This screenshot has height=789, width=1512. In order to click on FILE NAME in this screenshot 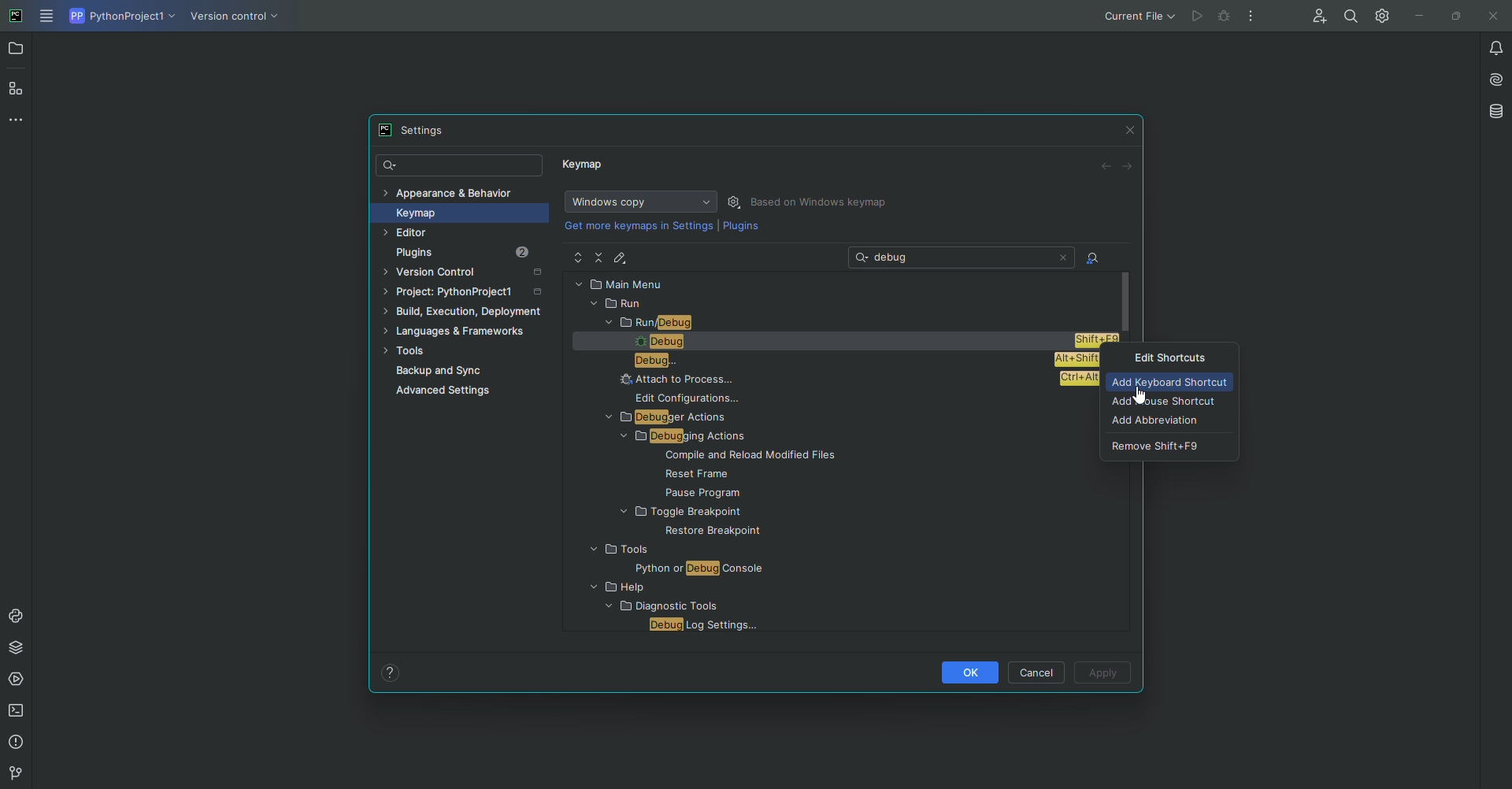, I will do `click(756, 474)`.